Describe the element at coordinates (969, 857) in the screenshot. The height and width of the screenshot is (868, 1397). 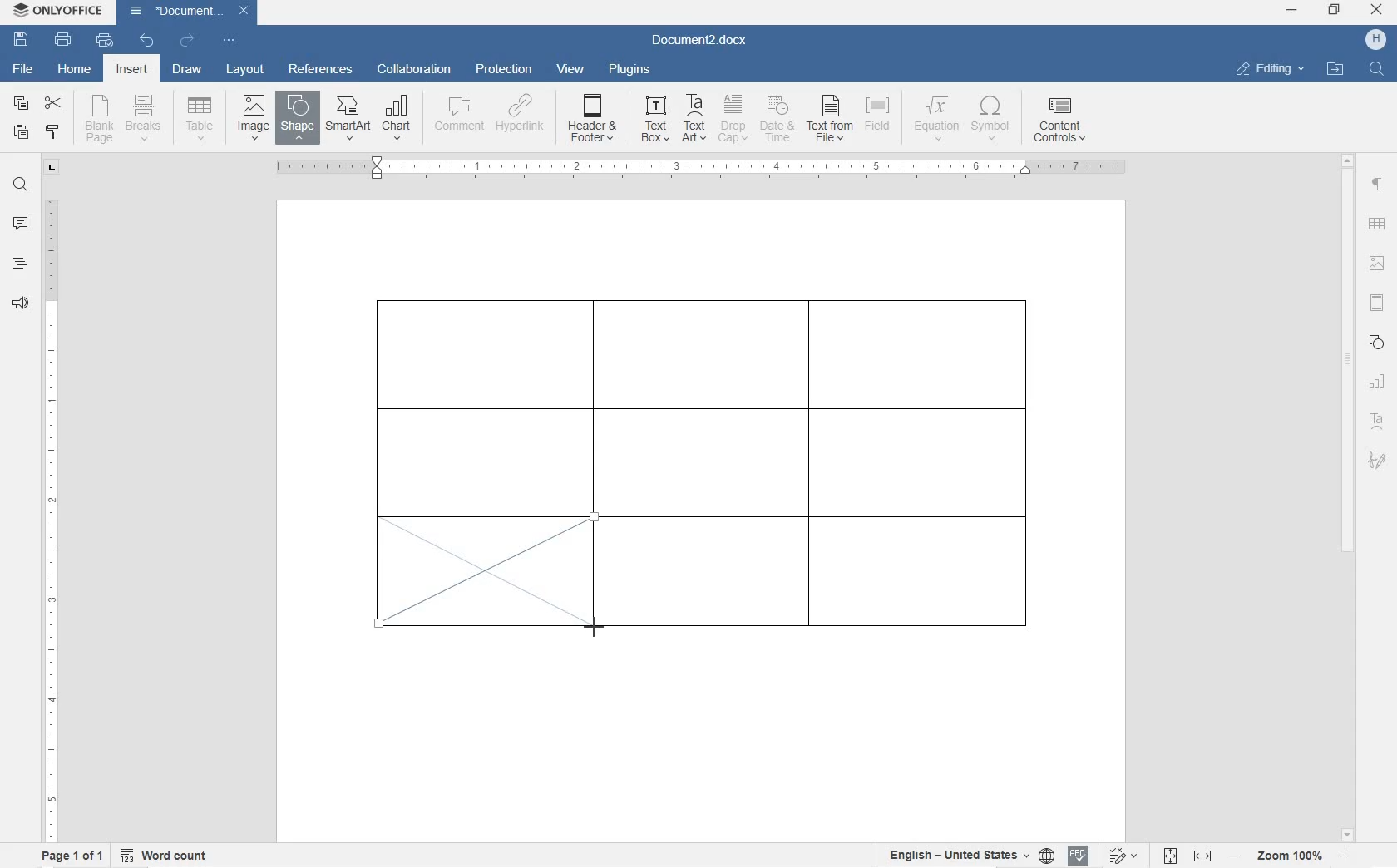
I see `select text or document language` at that location.